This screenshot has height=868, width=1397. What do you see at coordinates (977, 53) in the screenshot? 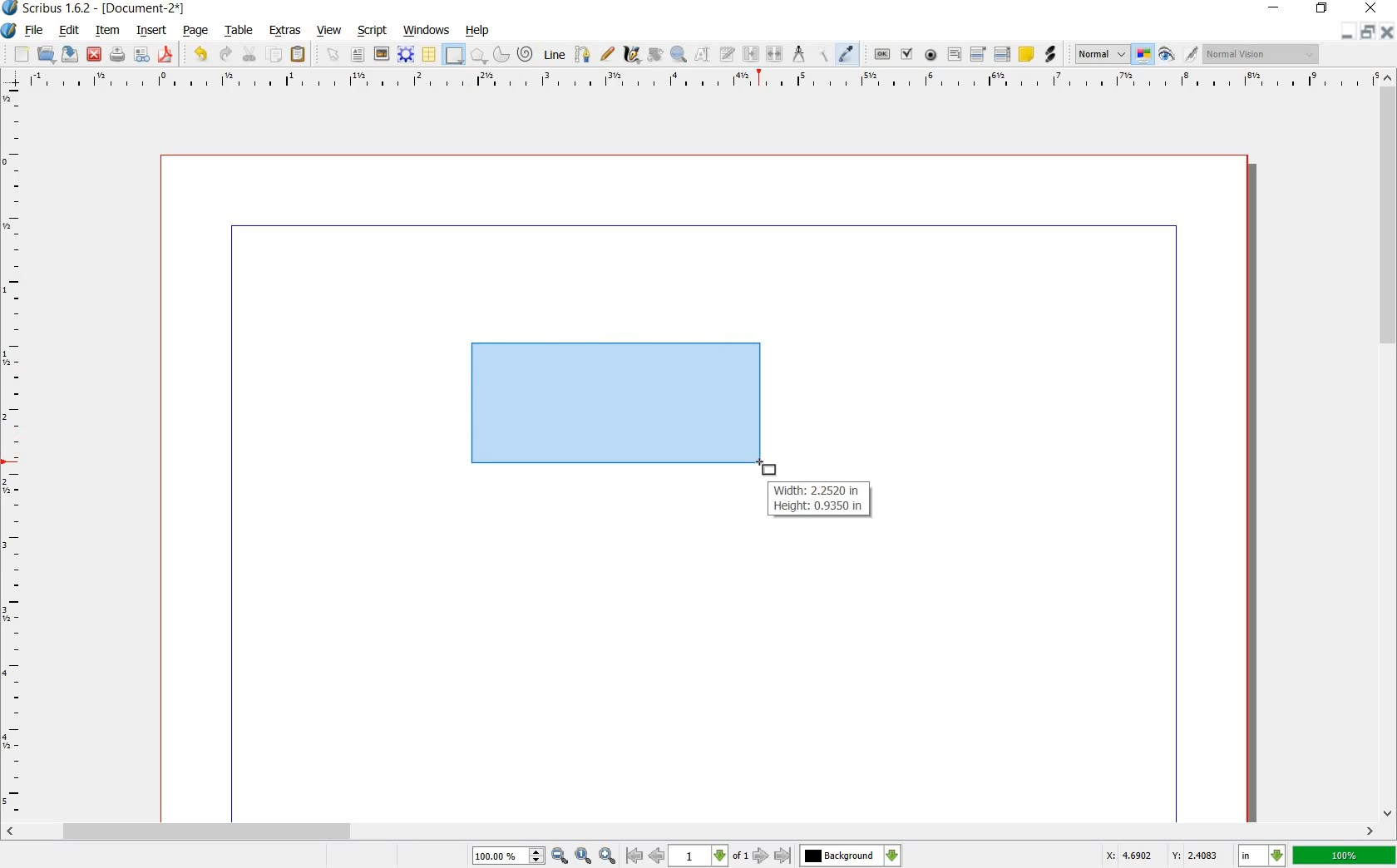
I see `PDF COMBO BOX` at bounding box center [977, 53].